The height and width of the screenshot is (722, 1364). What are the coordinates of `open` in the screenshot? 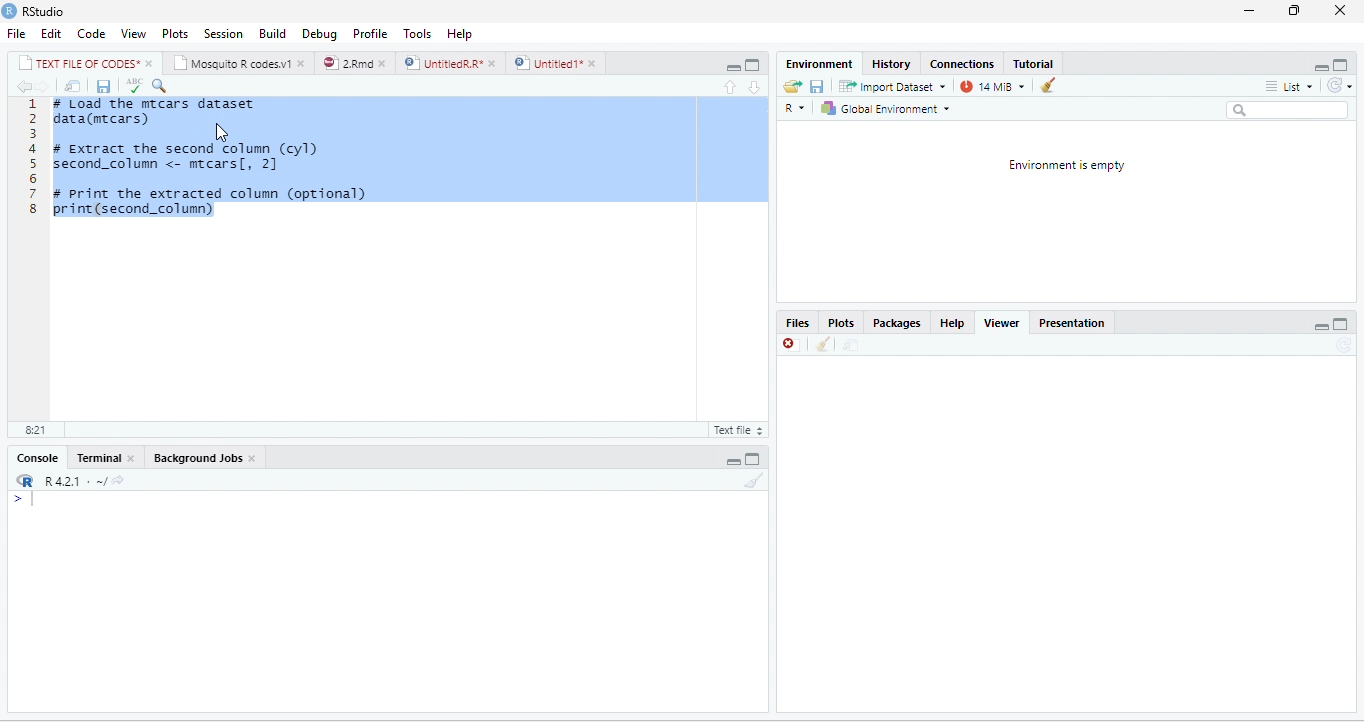 It's located at (789, 87).